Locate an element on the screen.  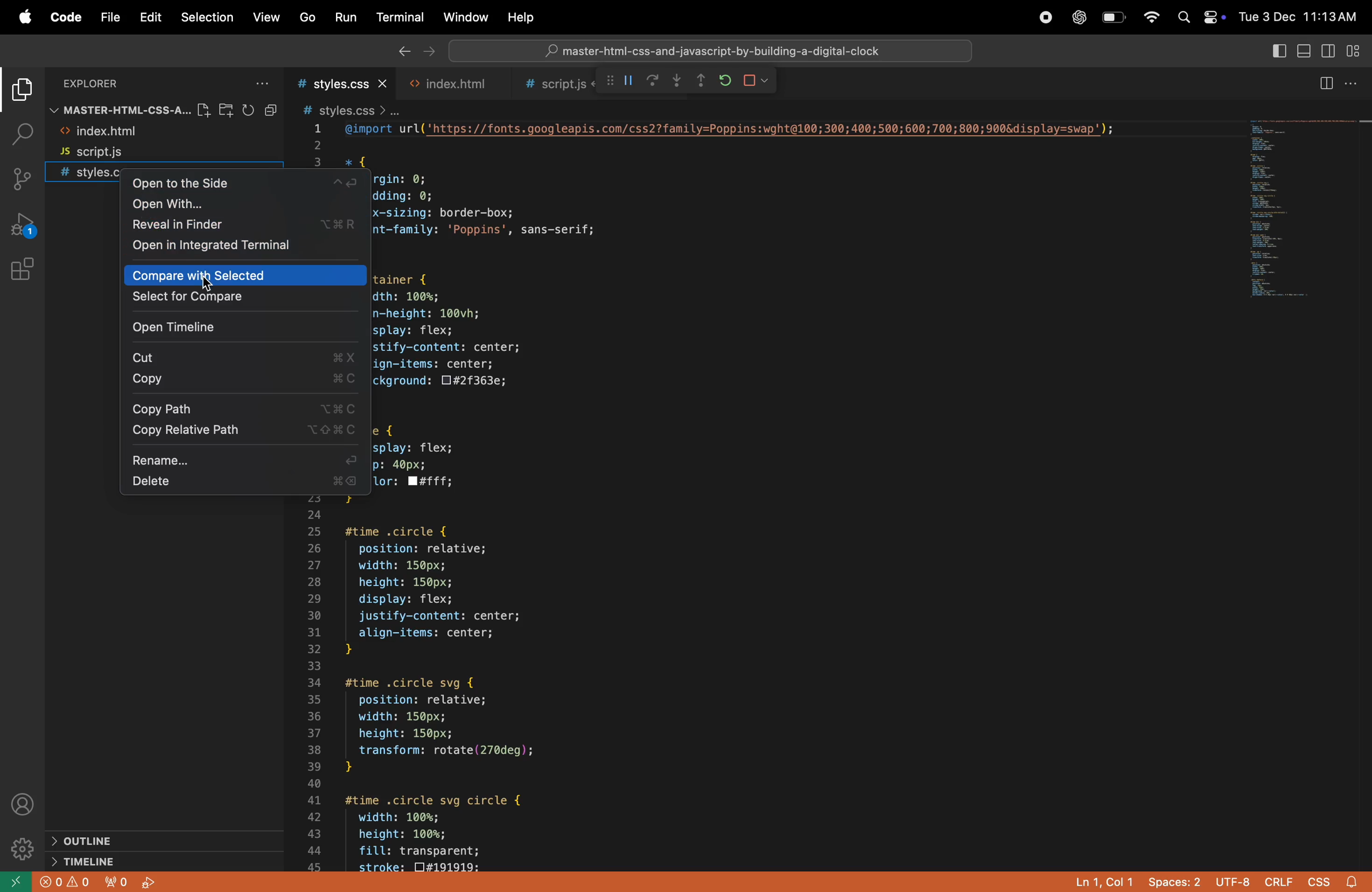
battery is located at coordinates (1111, 17).